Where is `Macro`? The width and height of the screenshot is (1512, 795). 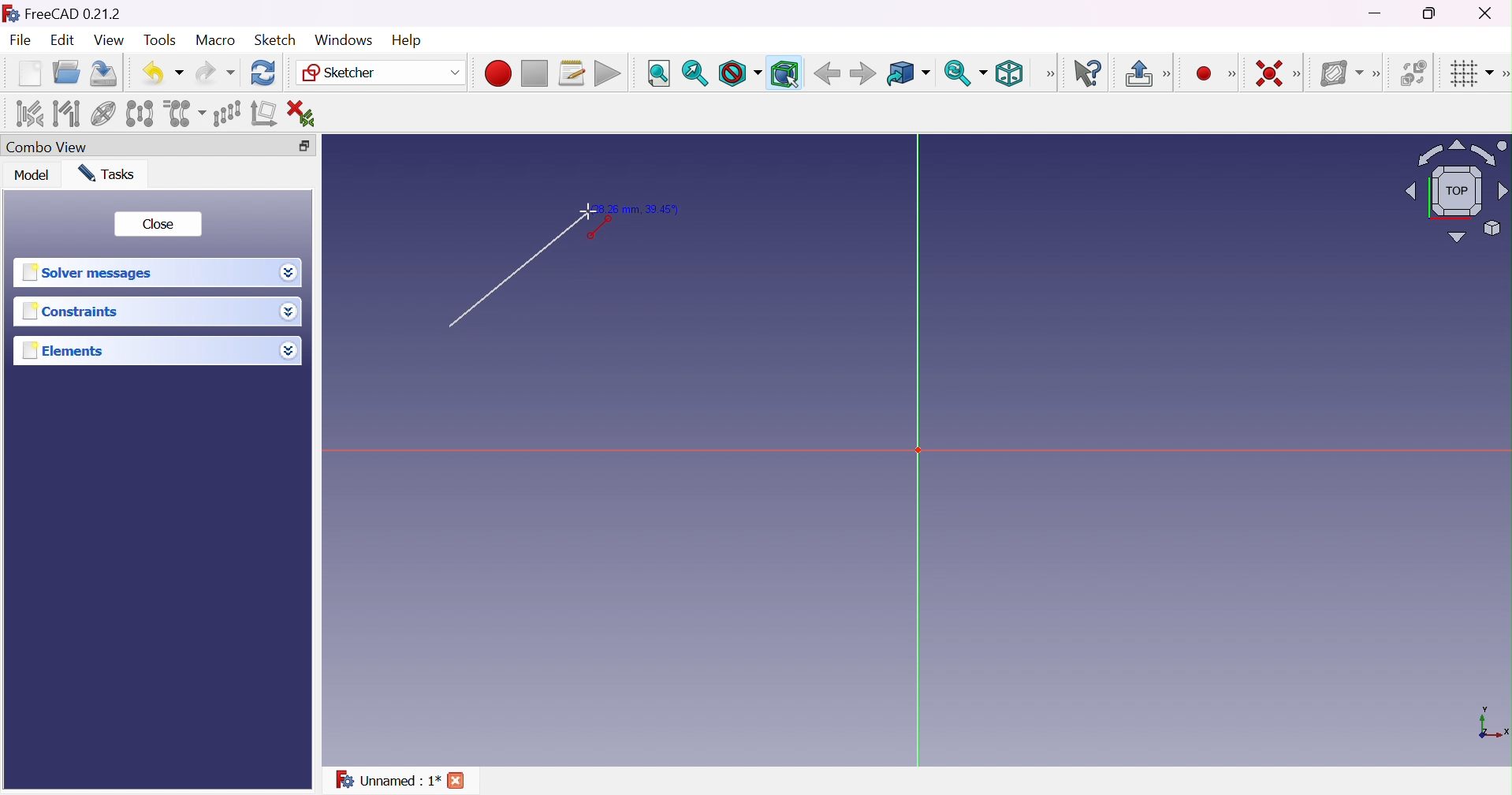
Macro is located at coordinates (214, 40).